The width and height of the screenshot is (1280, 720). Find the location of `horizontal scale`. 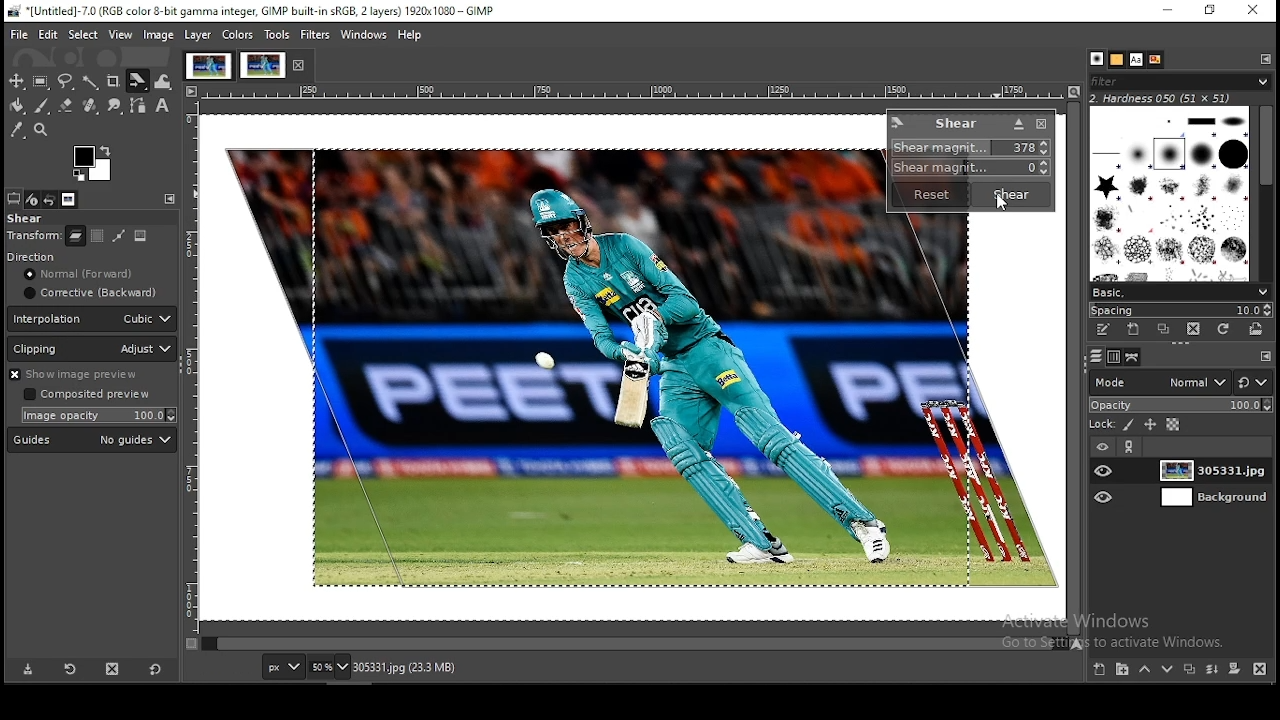

horizontal scale is located at coordinates (632, 93).